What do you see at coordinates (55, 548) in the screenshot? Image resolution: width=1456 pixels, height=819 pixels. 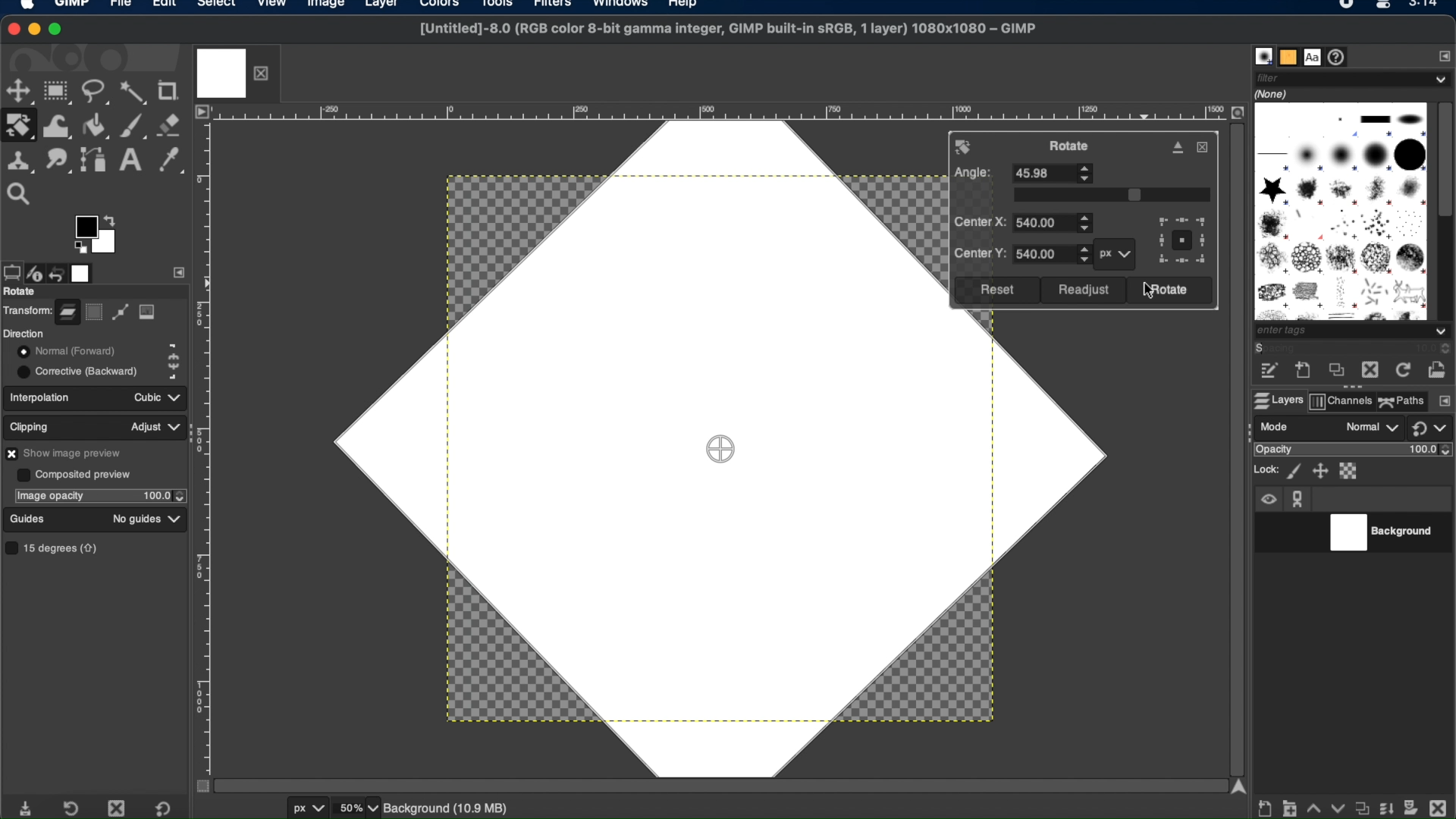 I see `15 degrees` at bounding box center [55, 548].